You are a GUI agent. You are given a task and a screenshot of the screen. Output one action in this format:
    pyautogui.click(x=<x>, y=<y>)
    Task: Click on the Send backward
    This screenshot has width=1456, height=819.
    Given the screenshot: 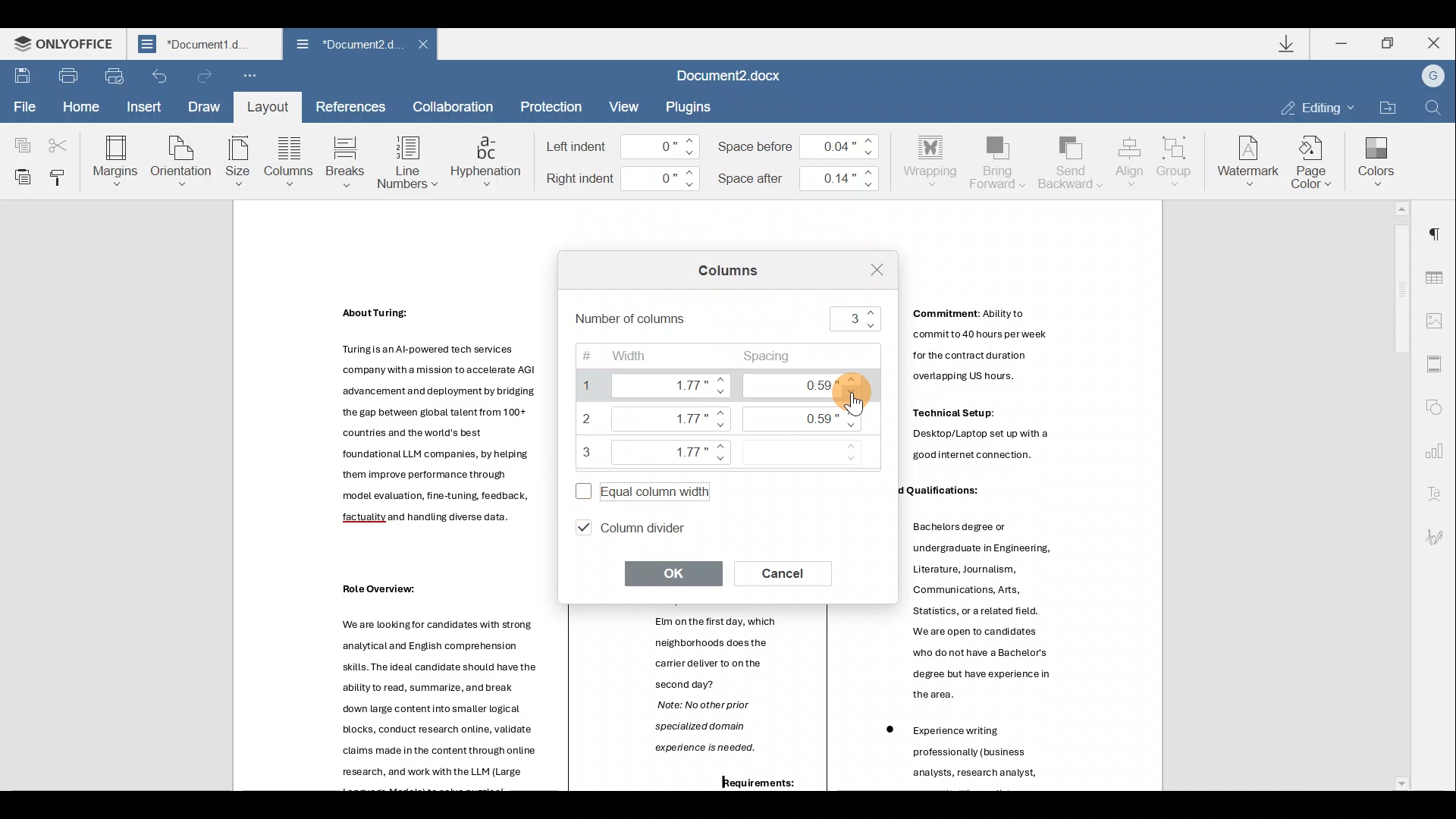 What is the action you would take?
    pyautogui.click(x=1068, y=161)
    